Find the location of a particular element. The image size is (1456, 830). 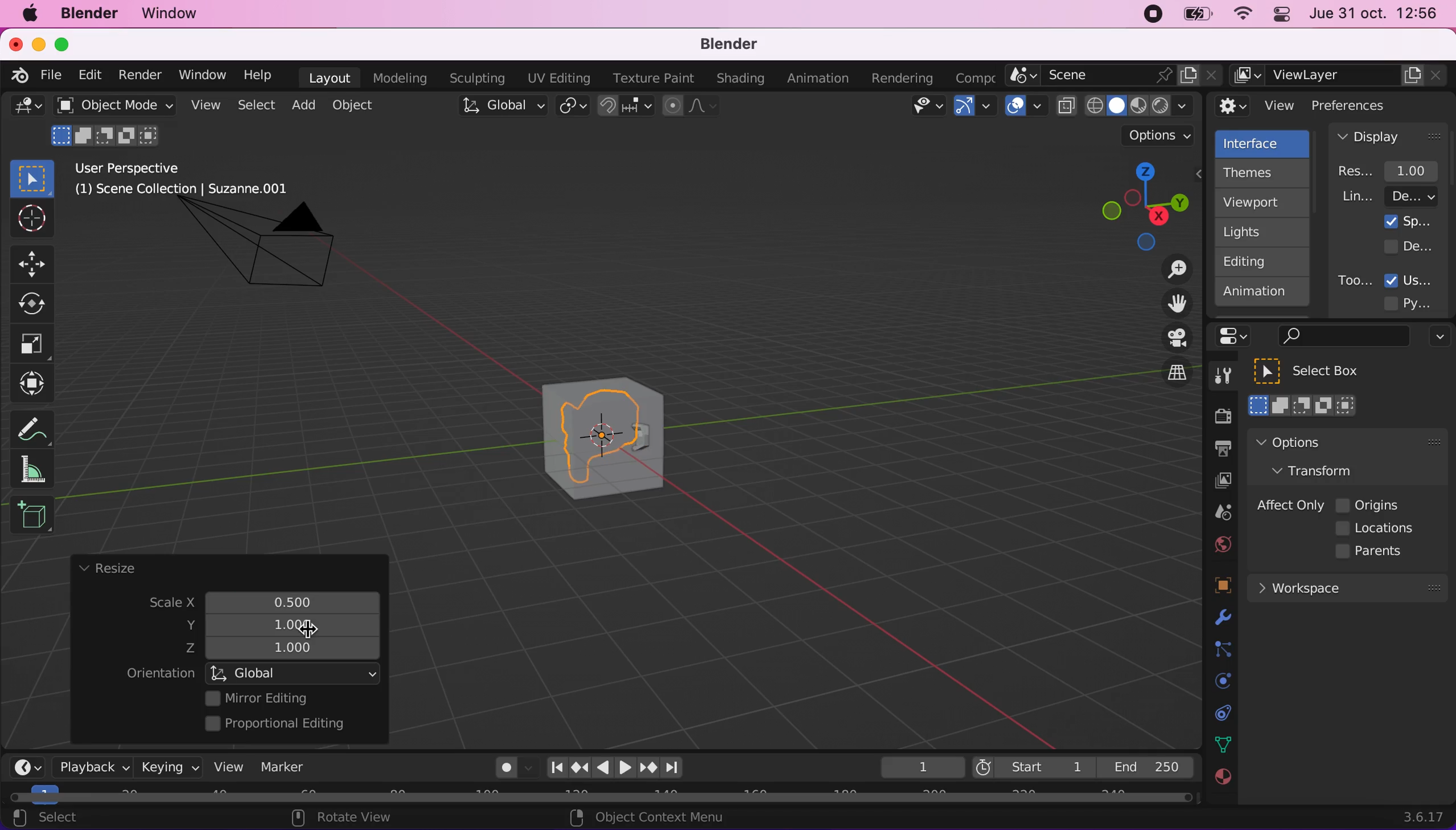

object is located at coordinates (356, 105).